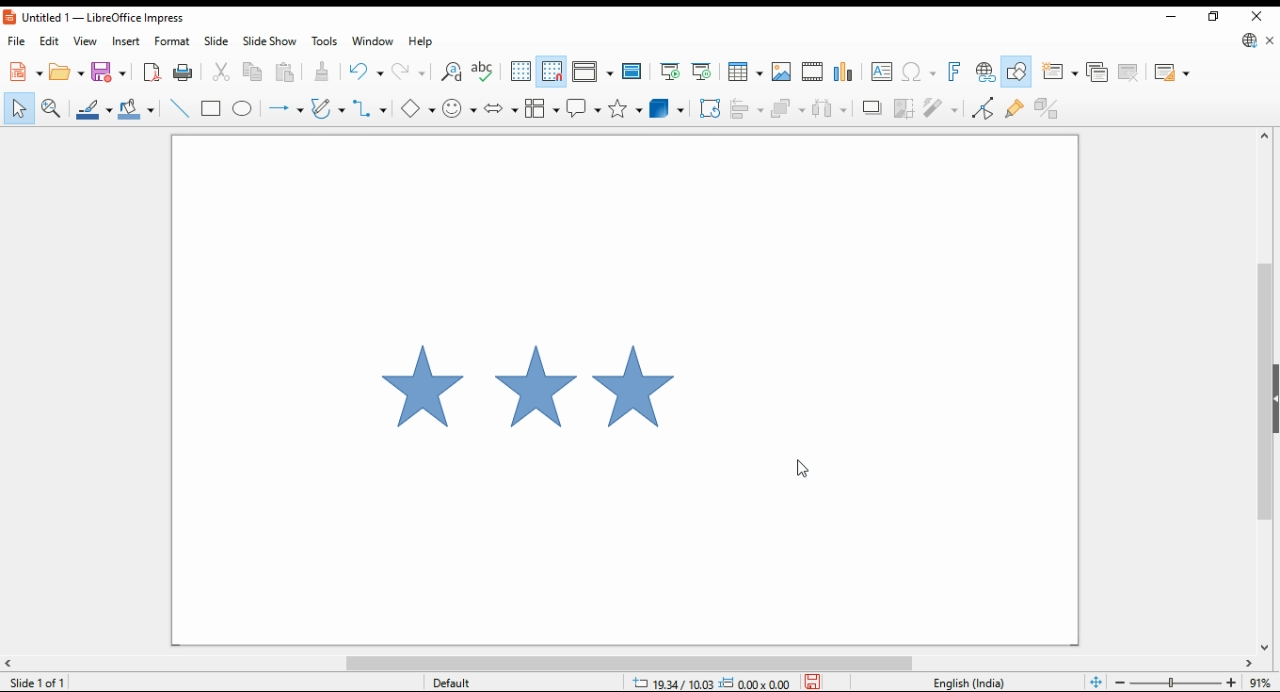 This screenshot has height=692, width=1280. Describe the element at coordinates (1259, 14) in the screenshot. I see `close window` at that location.